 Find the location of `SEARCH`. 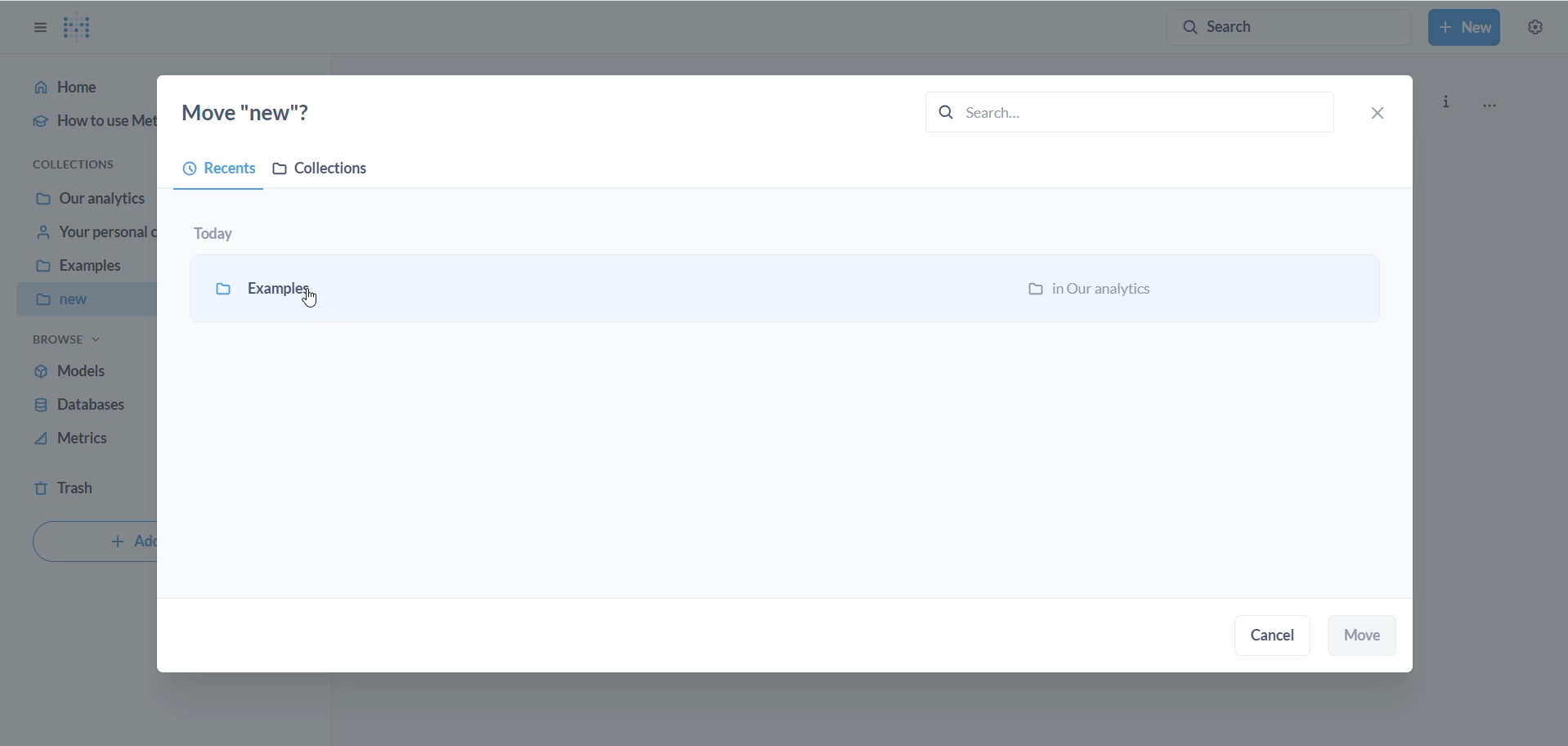

SEARCH is located at coordinates (1118, 110).